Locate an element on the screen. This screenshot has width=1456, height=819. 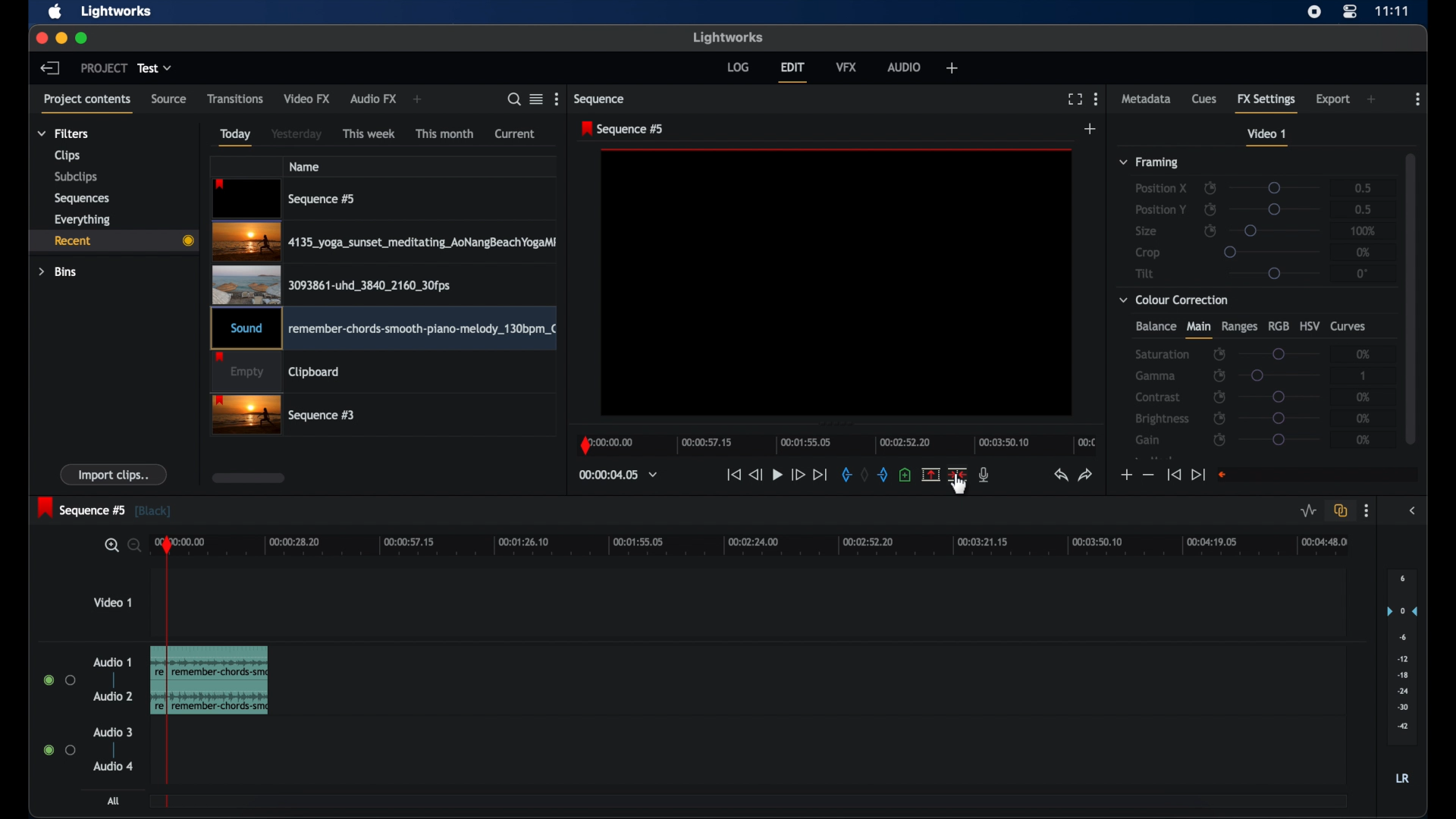
minimize is located at coordinates (61, 39).